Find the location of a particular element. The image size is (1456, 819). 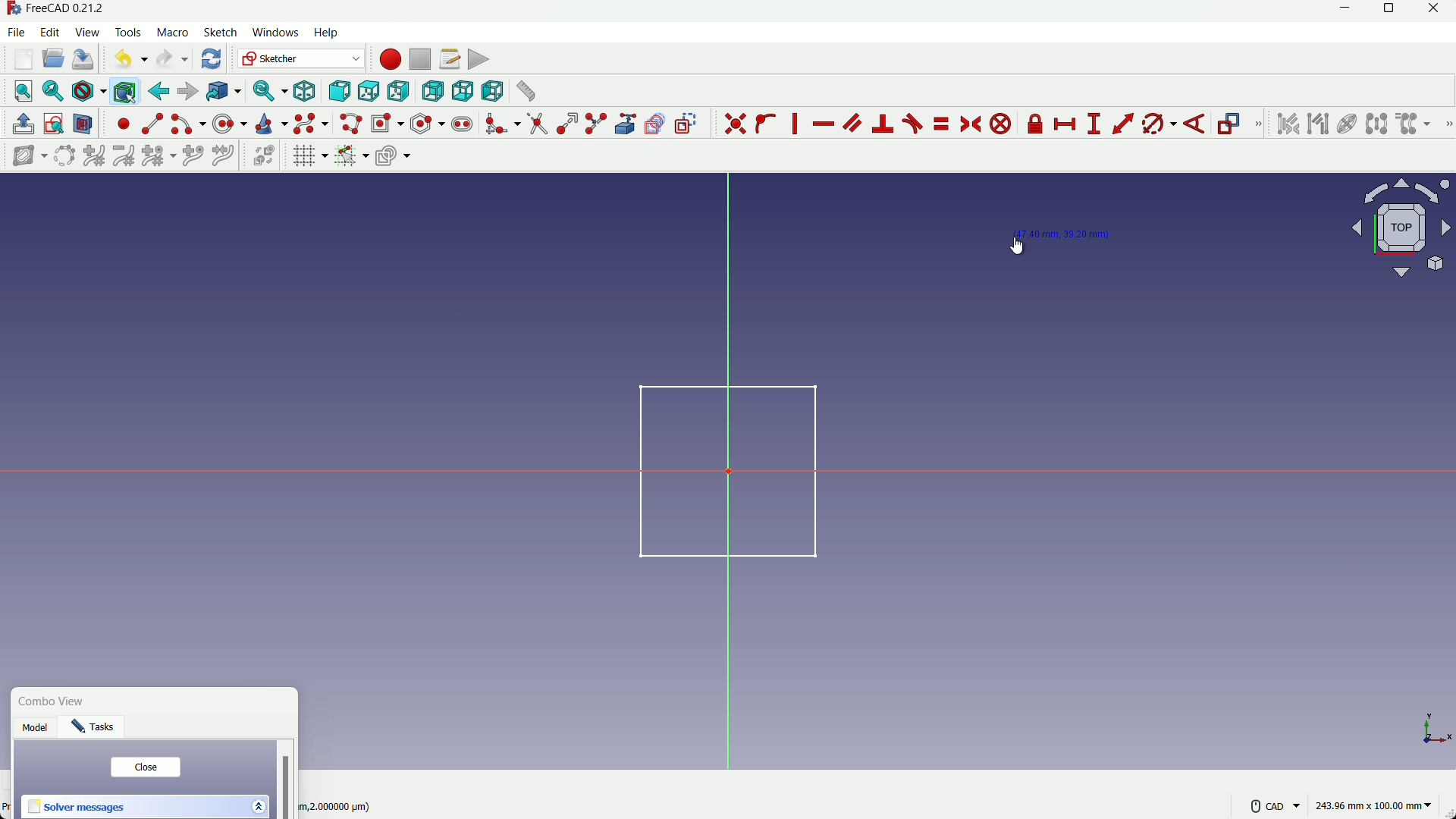

Combo View is located at coordinates (55, 702).